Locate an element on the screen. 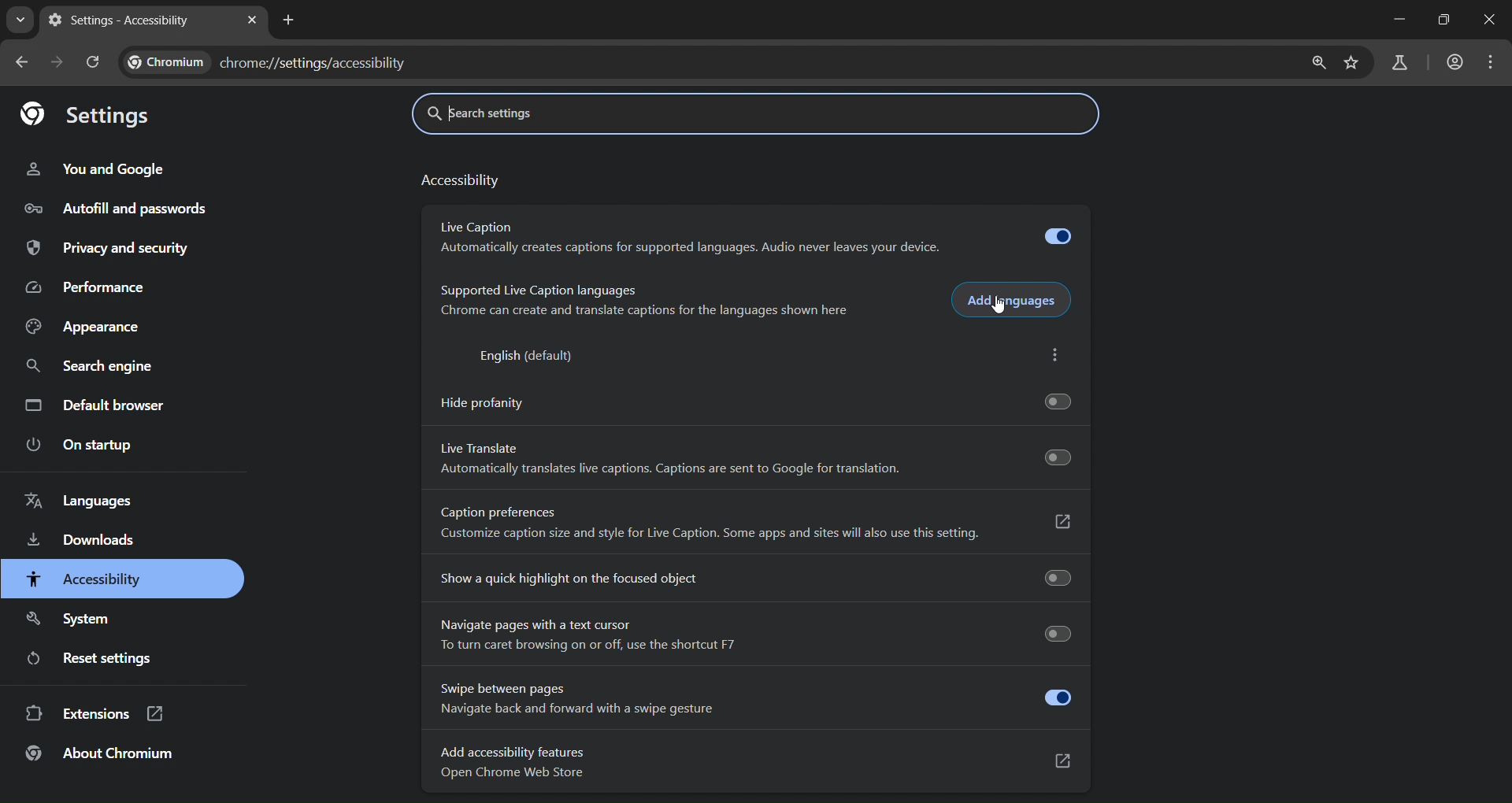 The height and width of the screenshot is (803, 1512). show a quick highlight on the focused object is located at coordinates (757, 576).